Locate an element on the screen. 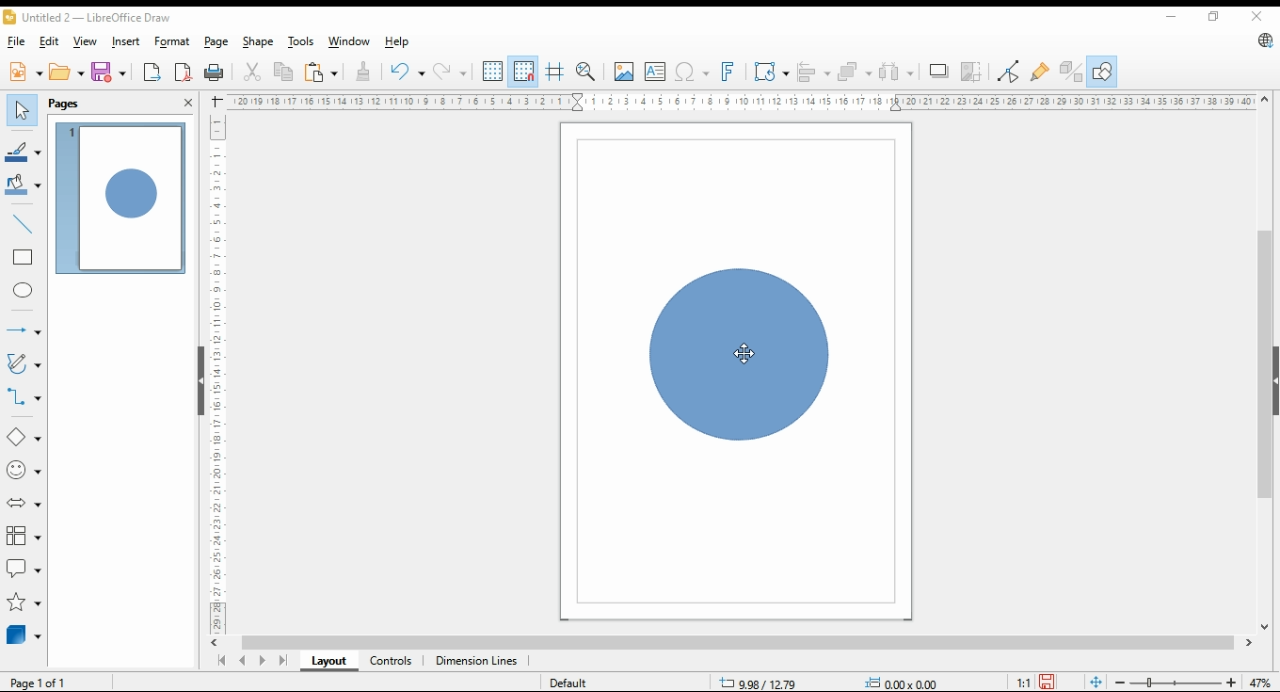 This screenshot has height=692, width=1280. shape is located at coordinates (742, 355).